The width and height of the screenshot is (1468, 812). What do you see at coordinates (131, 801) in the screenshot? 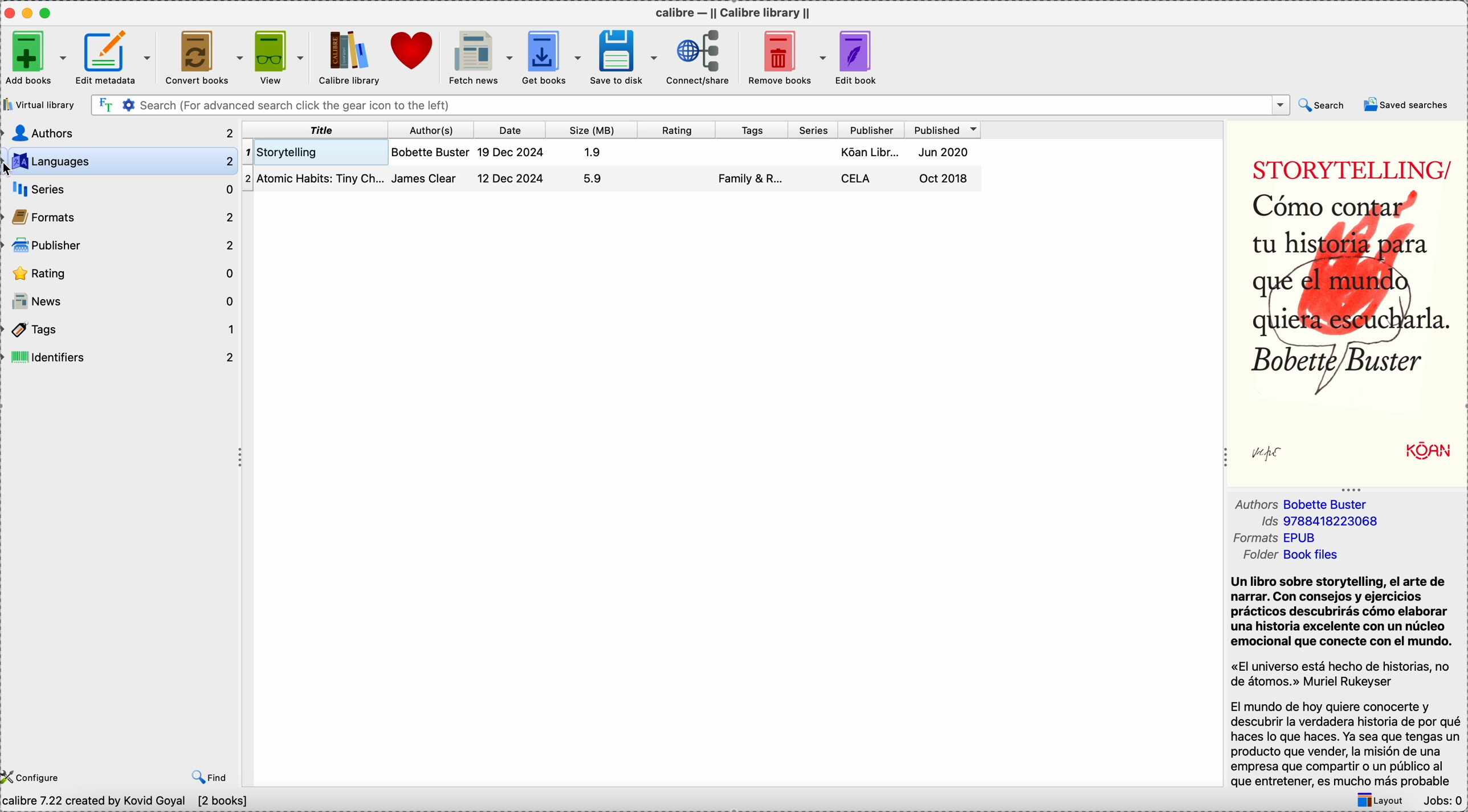
I see `Calibre 7.22 created by Kovid Goyal [2 books]` at bounding box center [131, 801].